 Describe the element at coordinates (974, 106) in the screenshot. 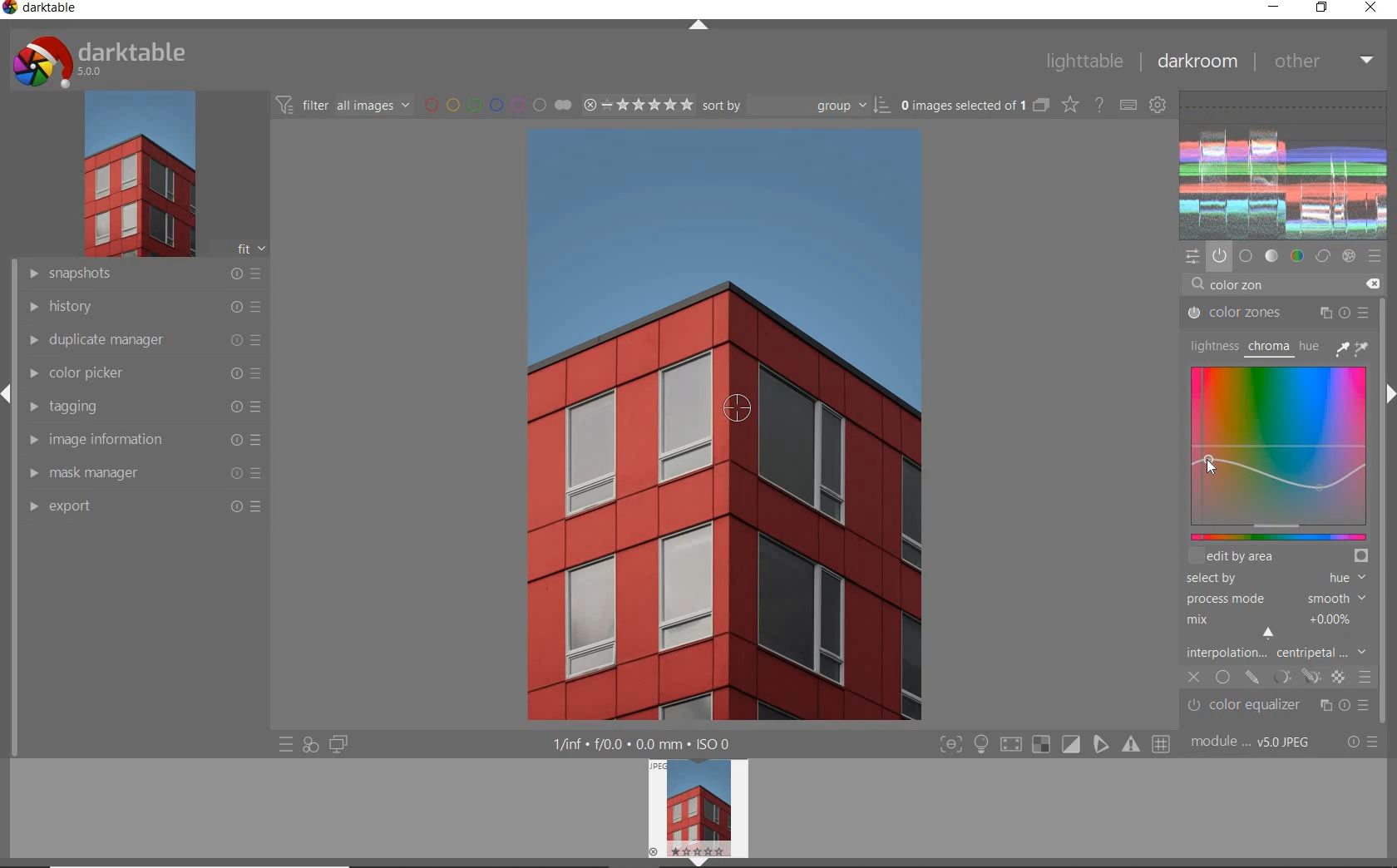

I see `selected images` at that location.